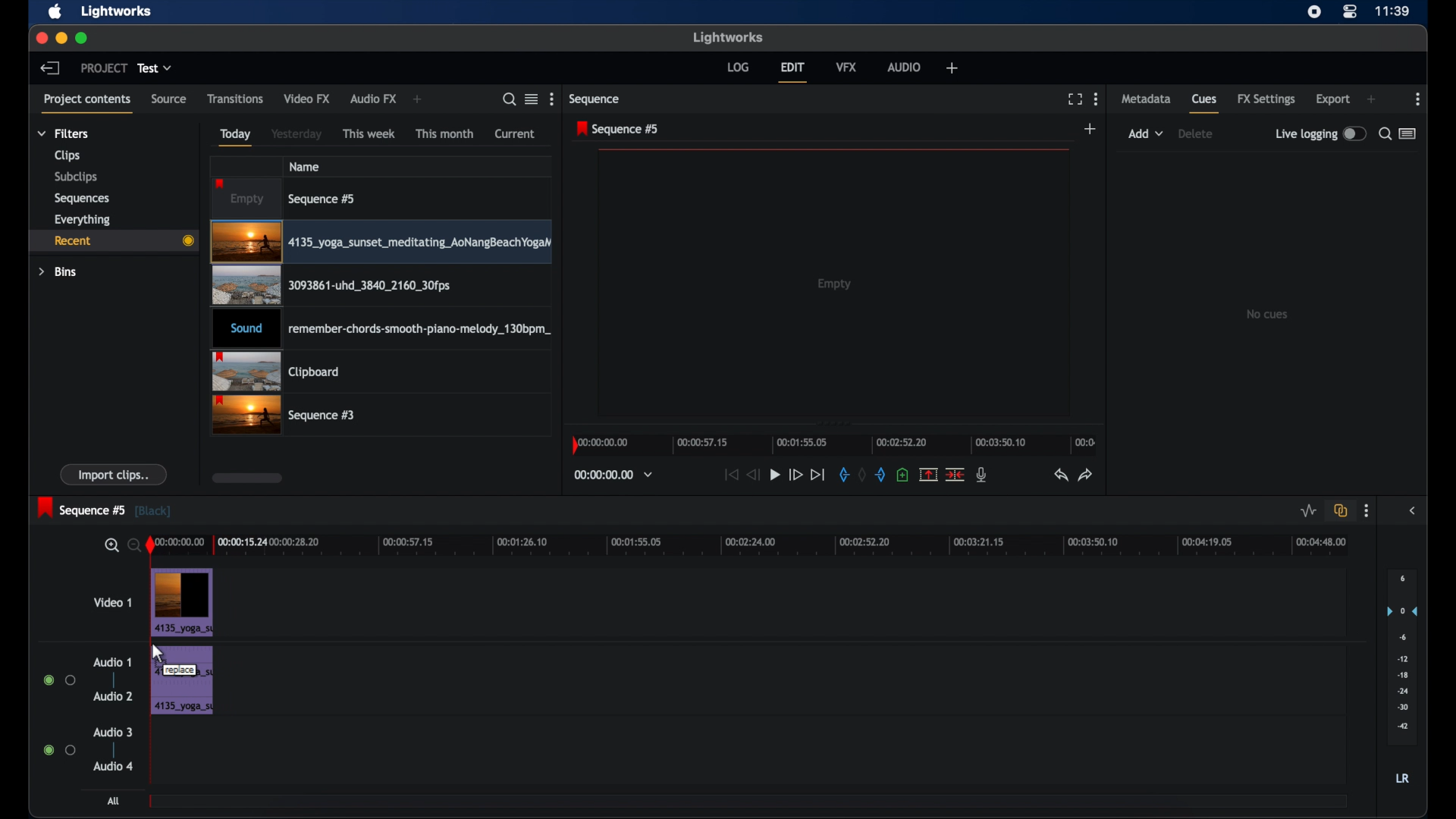  Describe the element at coordinates (114, 731) in the screenshot. I see `audio 3` at that location.